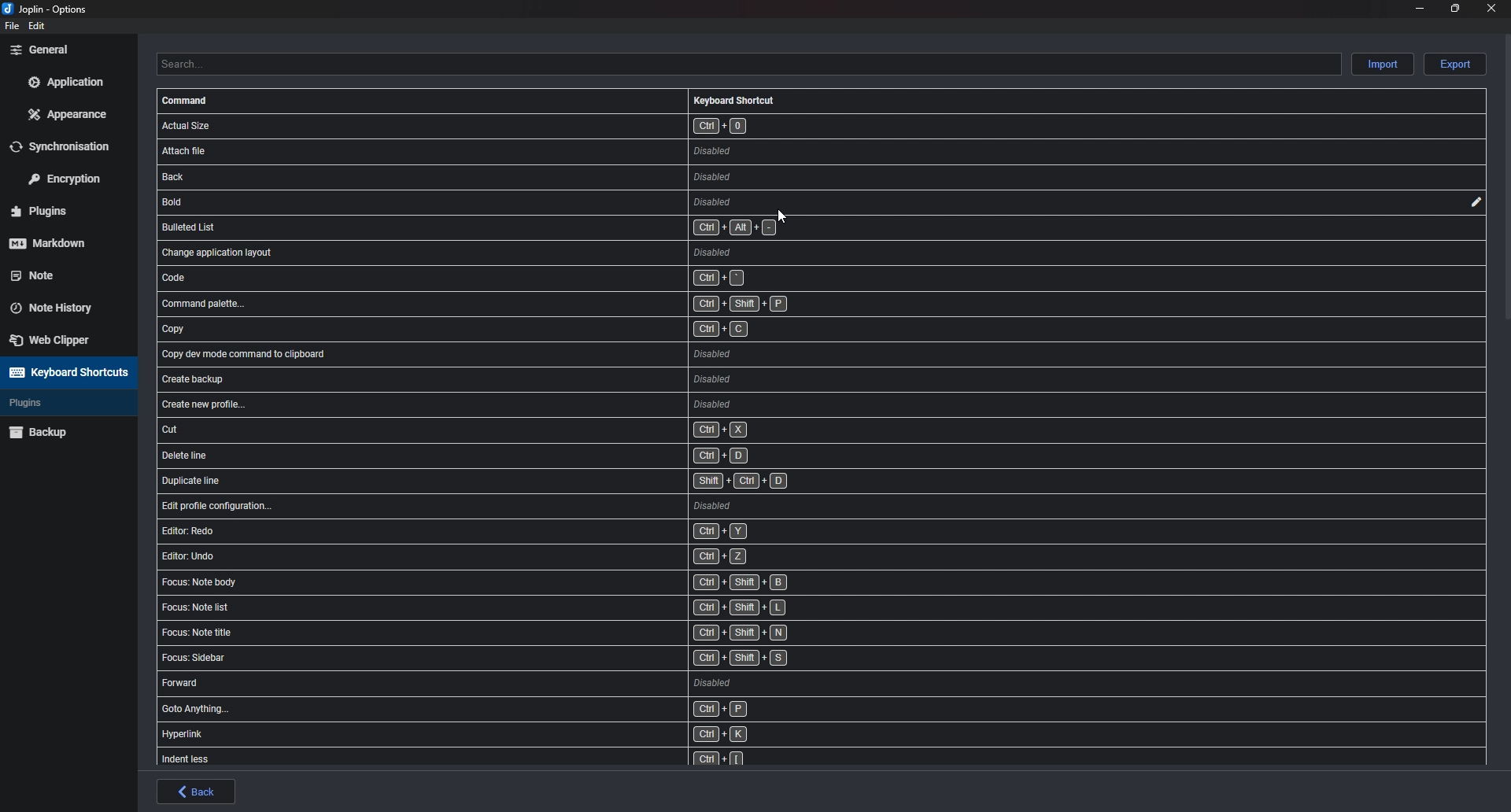 This screenshot has width=1511, height=812. Describe the element at coordinates (535, 456) in the screenshot. I see `shortcut` at that location.